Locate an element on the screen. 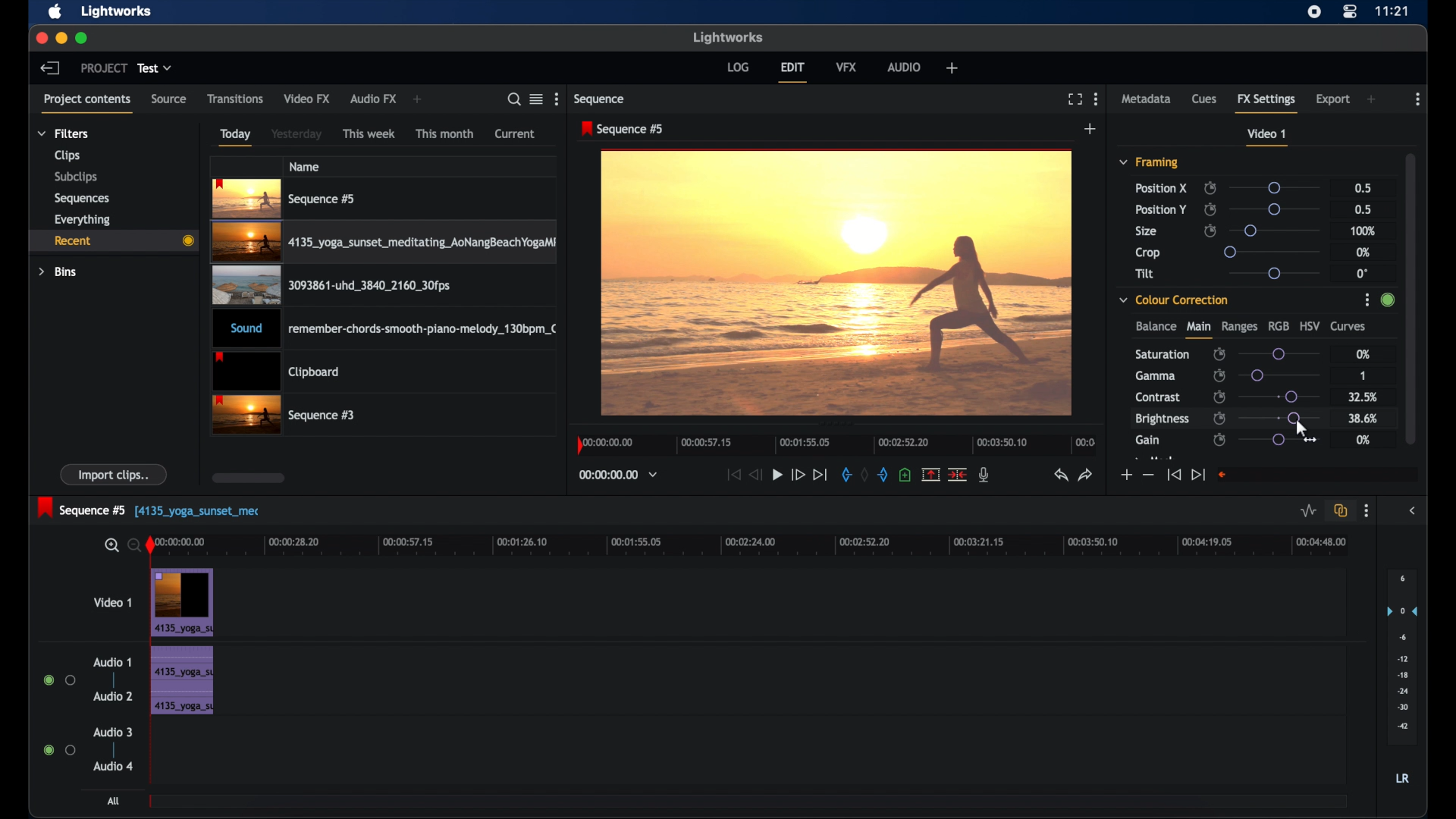 This screenshot has height=819, width=1456. 0.5 is located at coordinates (1365, 209).